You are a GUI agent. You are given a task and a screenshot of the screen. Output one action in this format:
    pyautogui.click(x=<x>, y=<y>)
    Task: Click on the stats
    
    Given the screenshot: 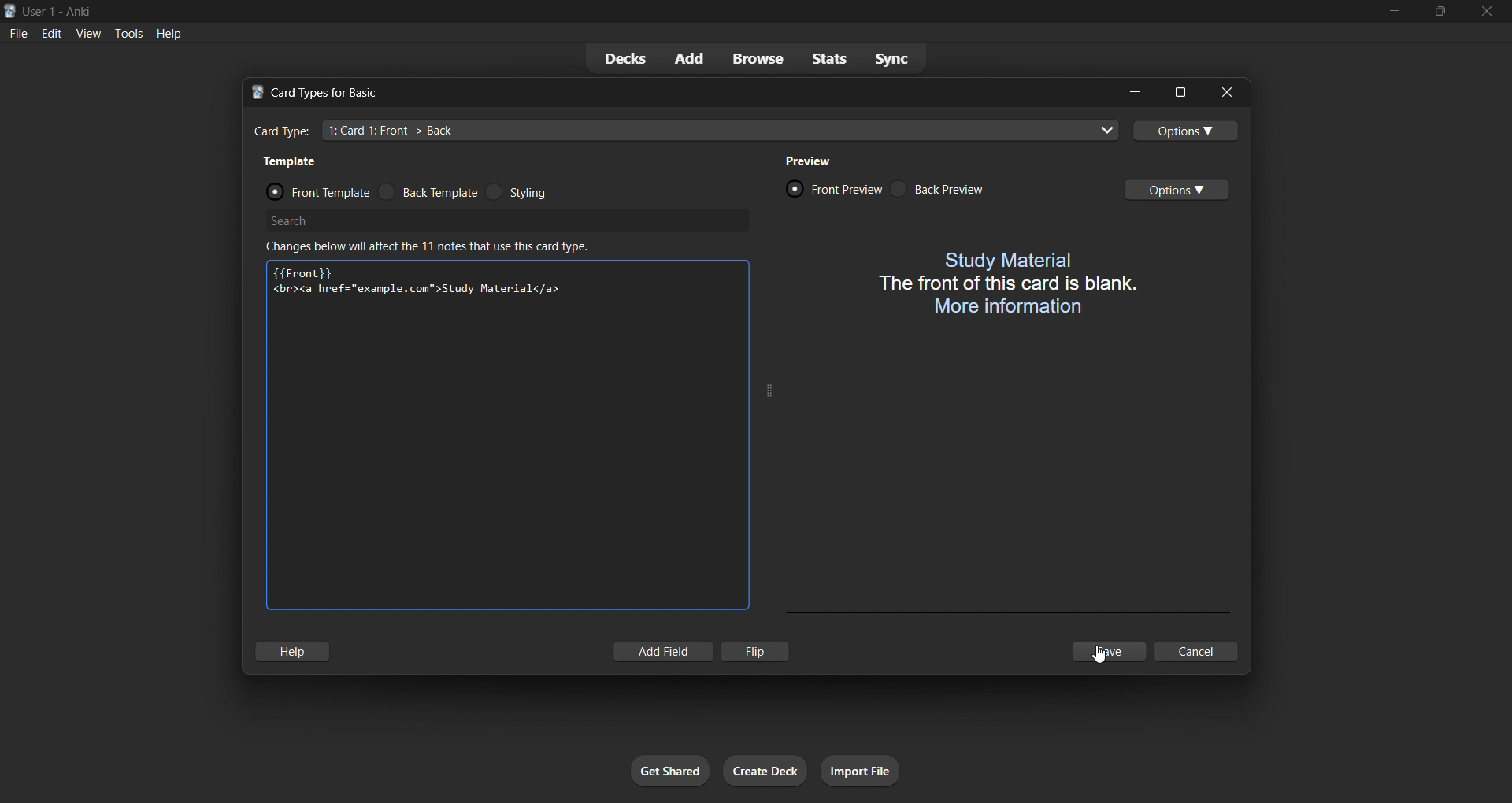 What is the action you would take?
    pyautogui.click(x=825, y=61)
    